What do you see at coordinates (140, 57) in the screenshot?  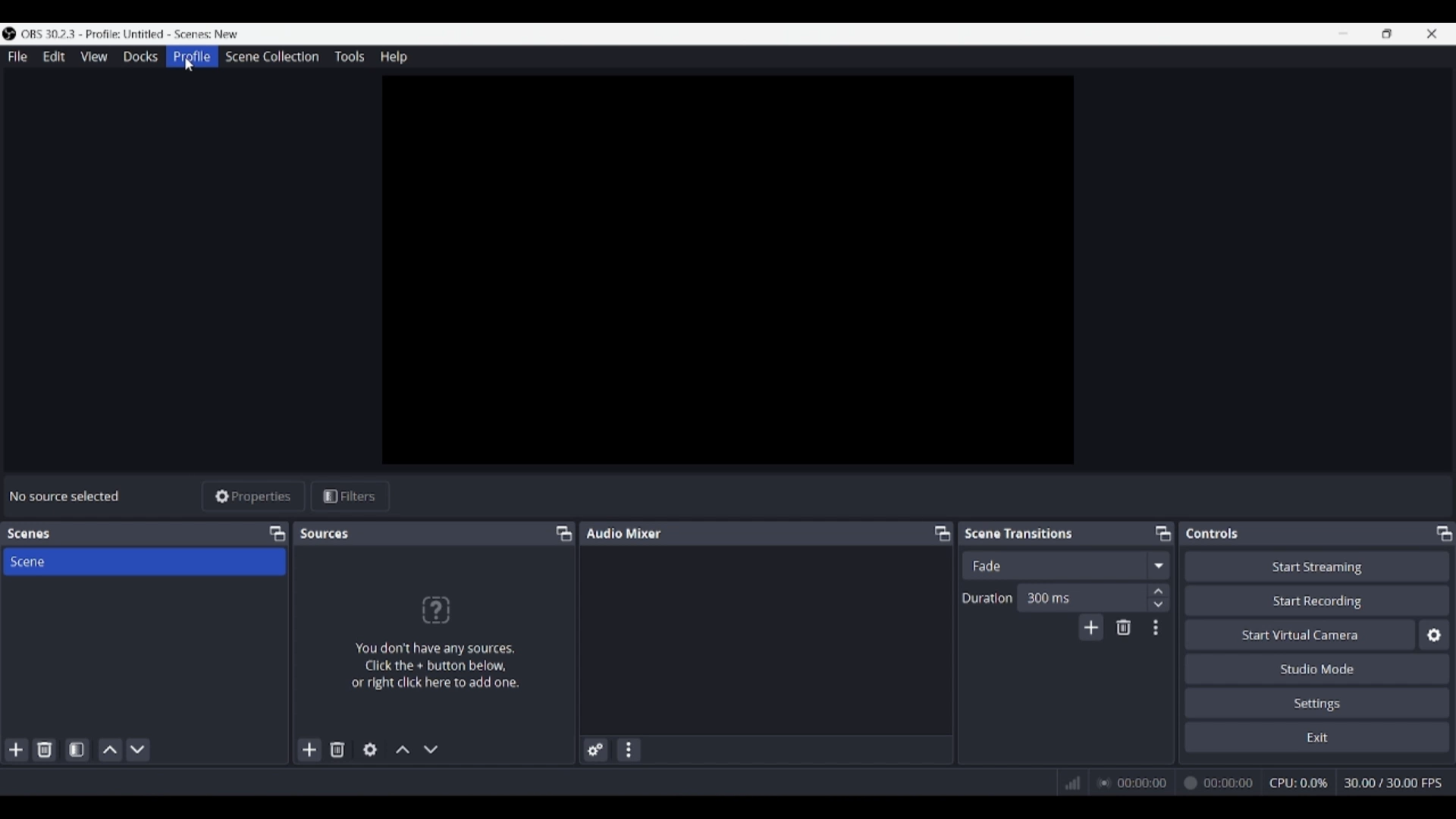 I see `Docks menu` at bounding box center [140, 57].